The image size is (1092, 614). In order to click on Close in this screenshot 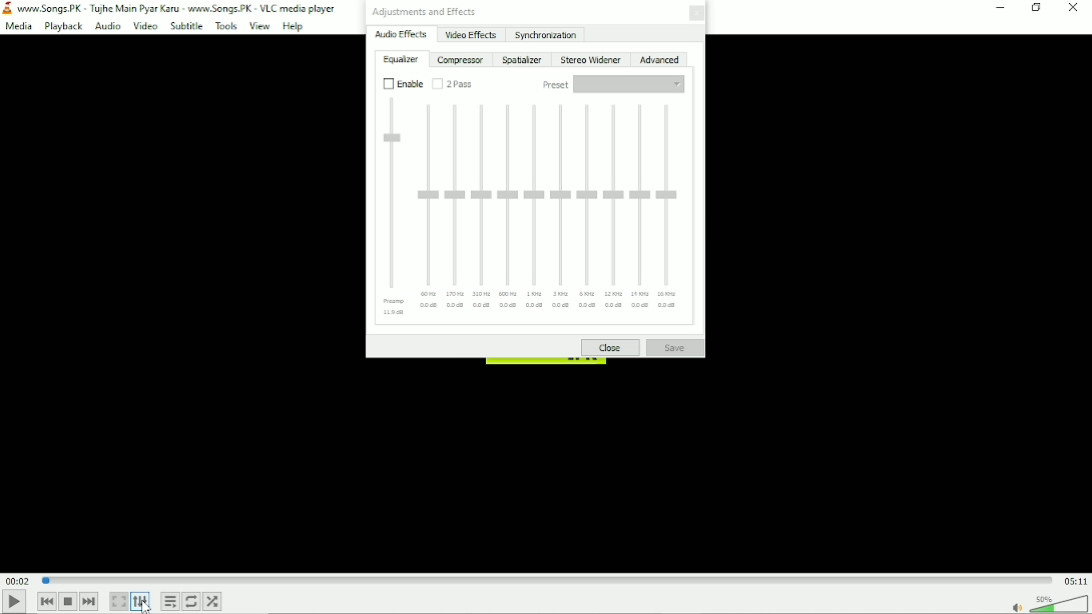, I will do `click(1074, 8)`.